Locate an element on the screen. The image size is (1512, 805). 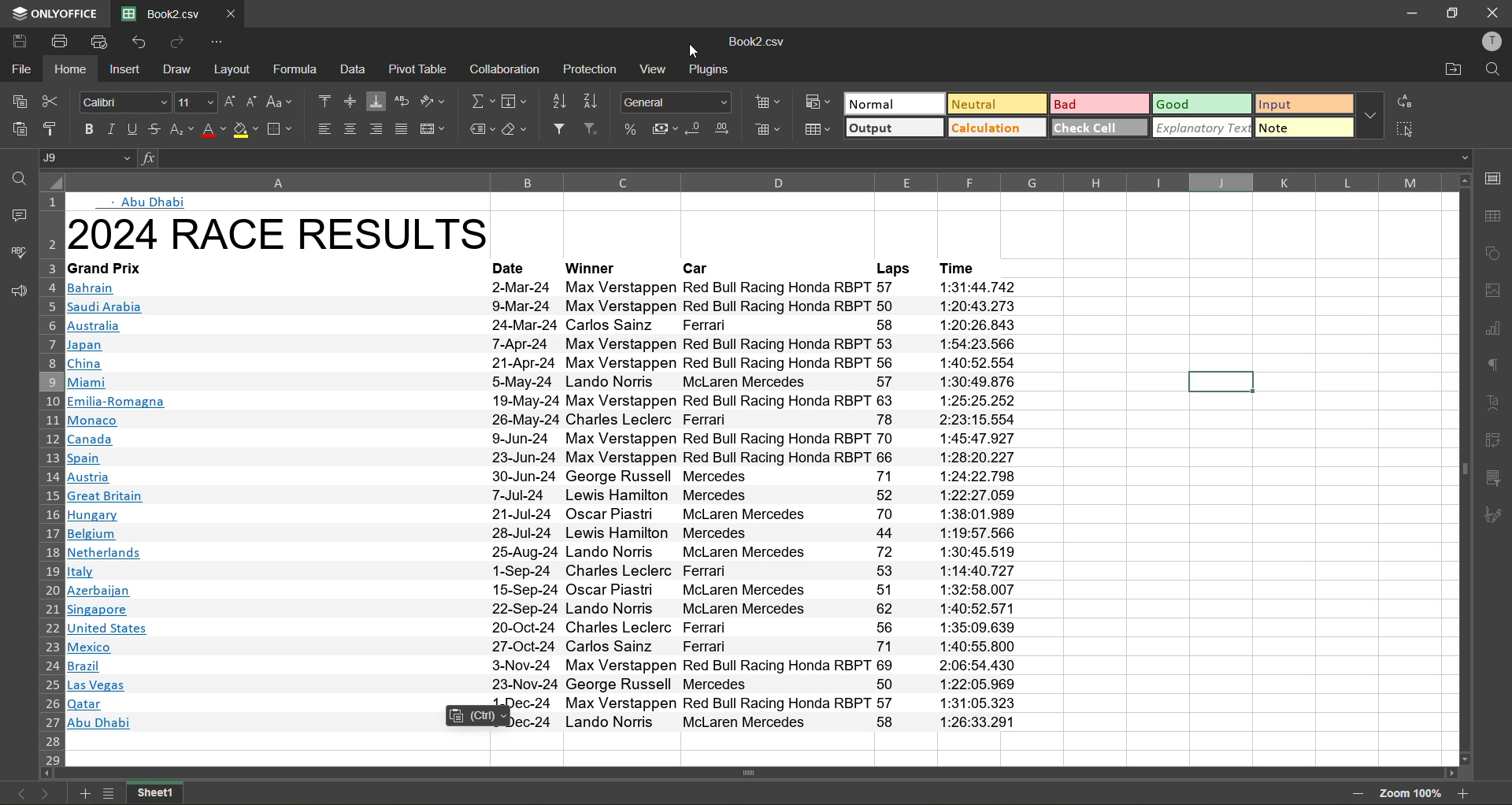
table is located at coordinates (1494, 219).